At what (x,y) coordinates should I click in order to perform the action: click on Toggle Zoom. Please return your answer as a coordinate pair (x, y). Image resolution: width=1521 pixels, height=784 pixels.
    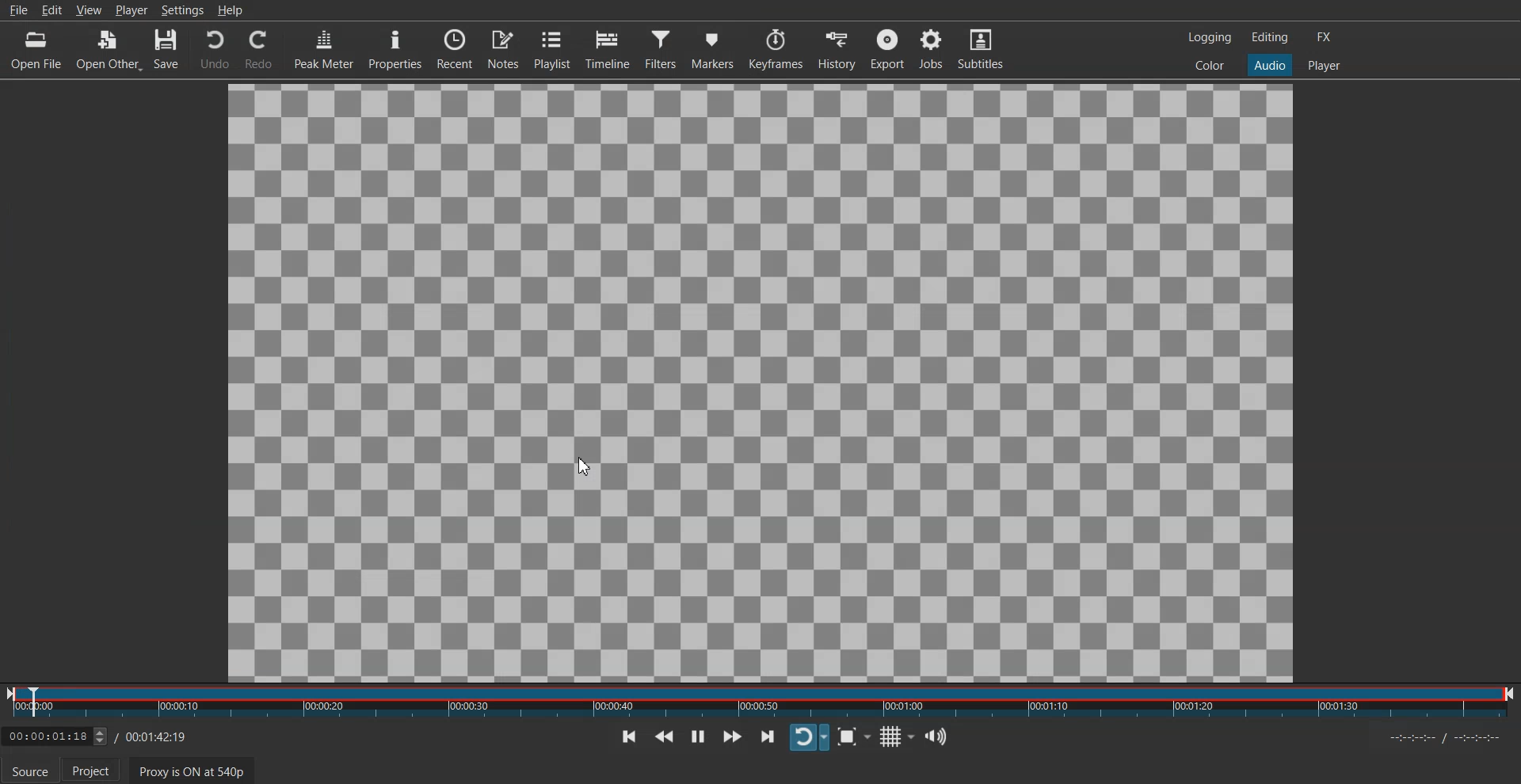
    Looking at the image, I should click on (853, 737).